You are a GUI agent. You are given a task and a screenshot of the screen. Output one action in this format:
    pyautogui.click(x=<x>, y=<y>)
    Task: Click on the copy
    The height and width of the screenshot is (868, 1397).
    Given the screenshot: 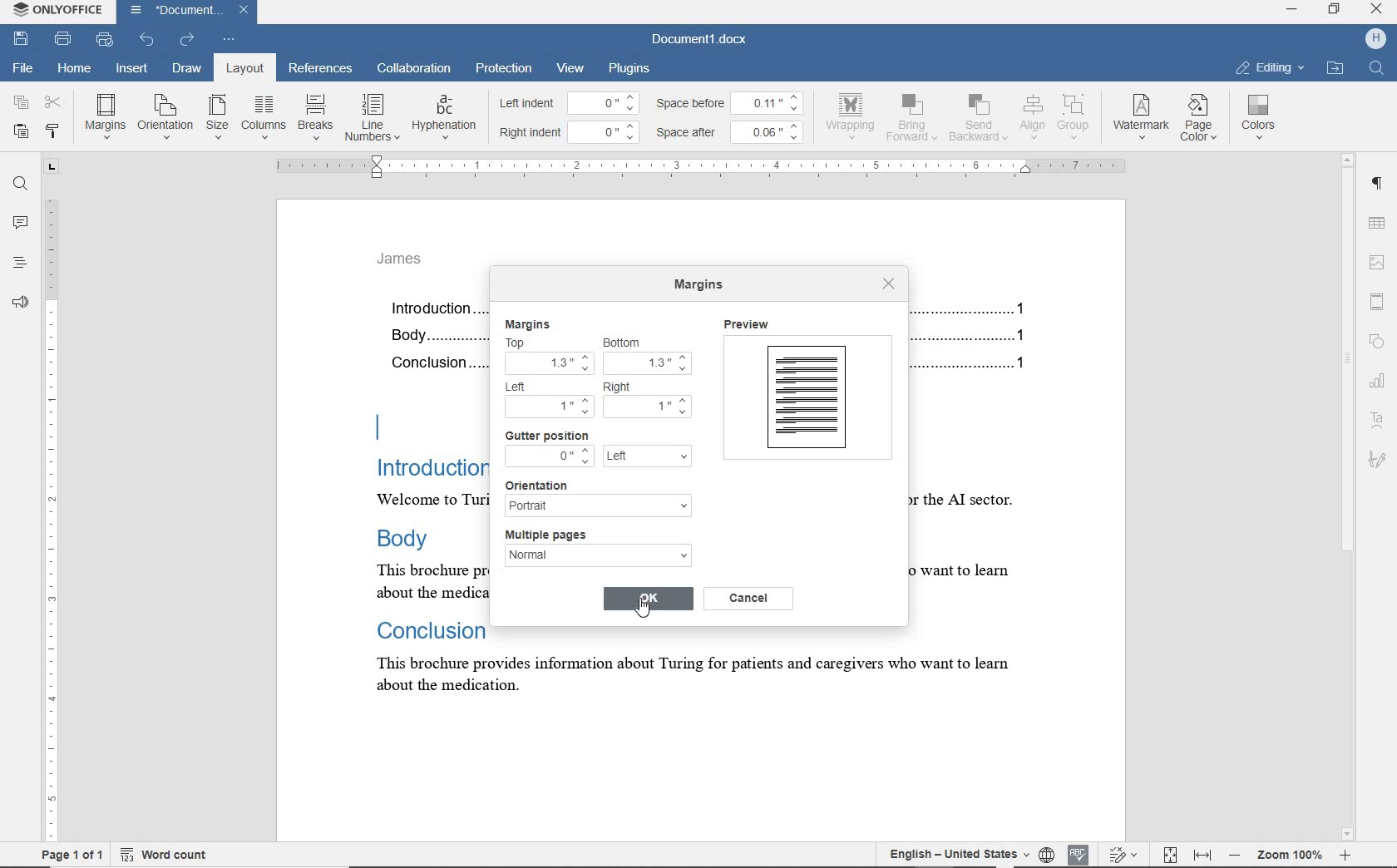 What is the action you would take?
    pyautogui.click(x=22, y=101)
    